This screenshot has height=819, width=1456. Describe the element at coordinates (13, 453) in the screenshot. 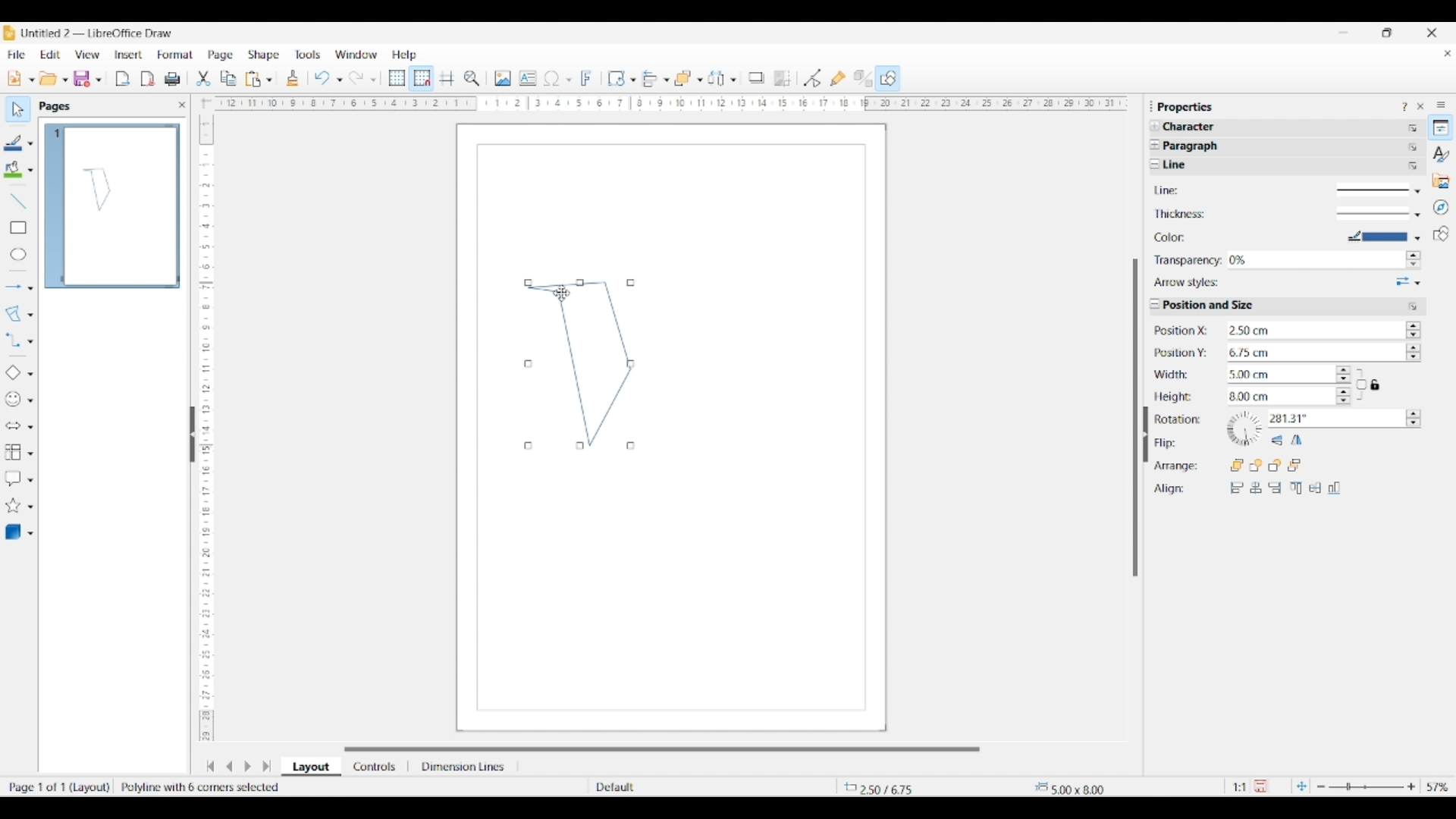

I see `Selected flowchart` at that location.